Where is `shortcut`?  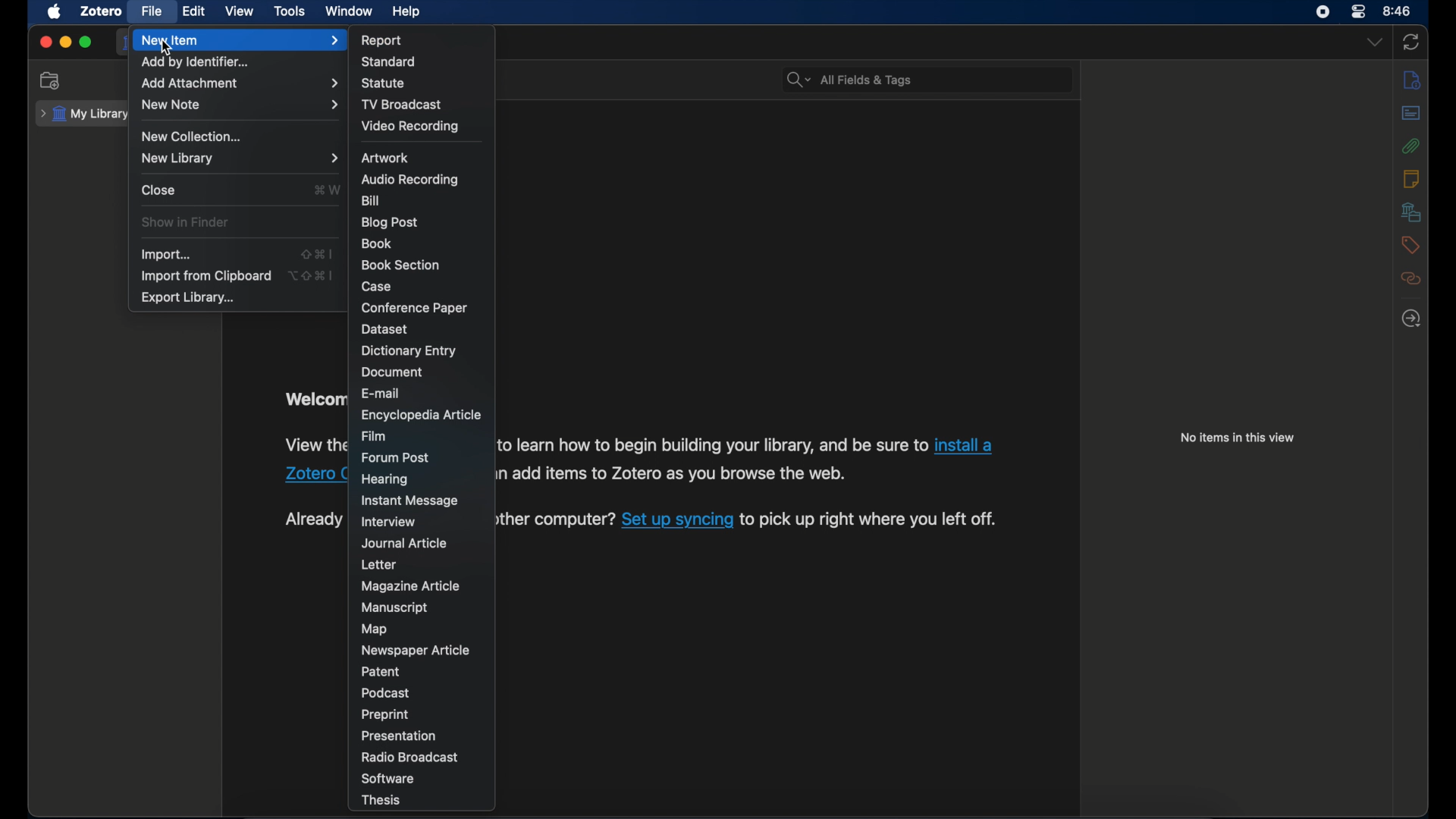
shortcut is located at coordinates (318, 253).